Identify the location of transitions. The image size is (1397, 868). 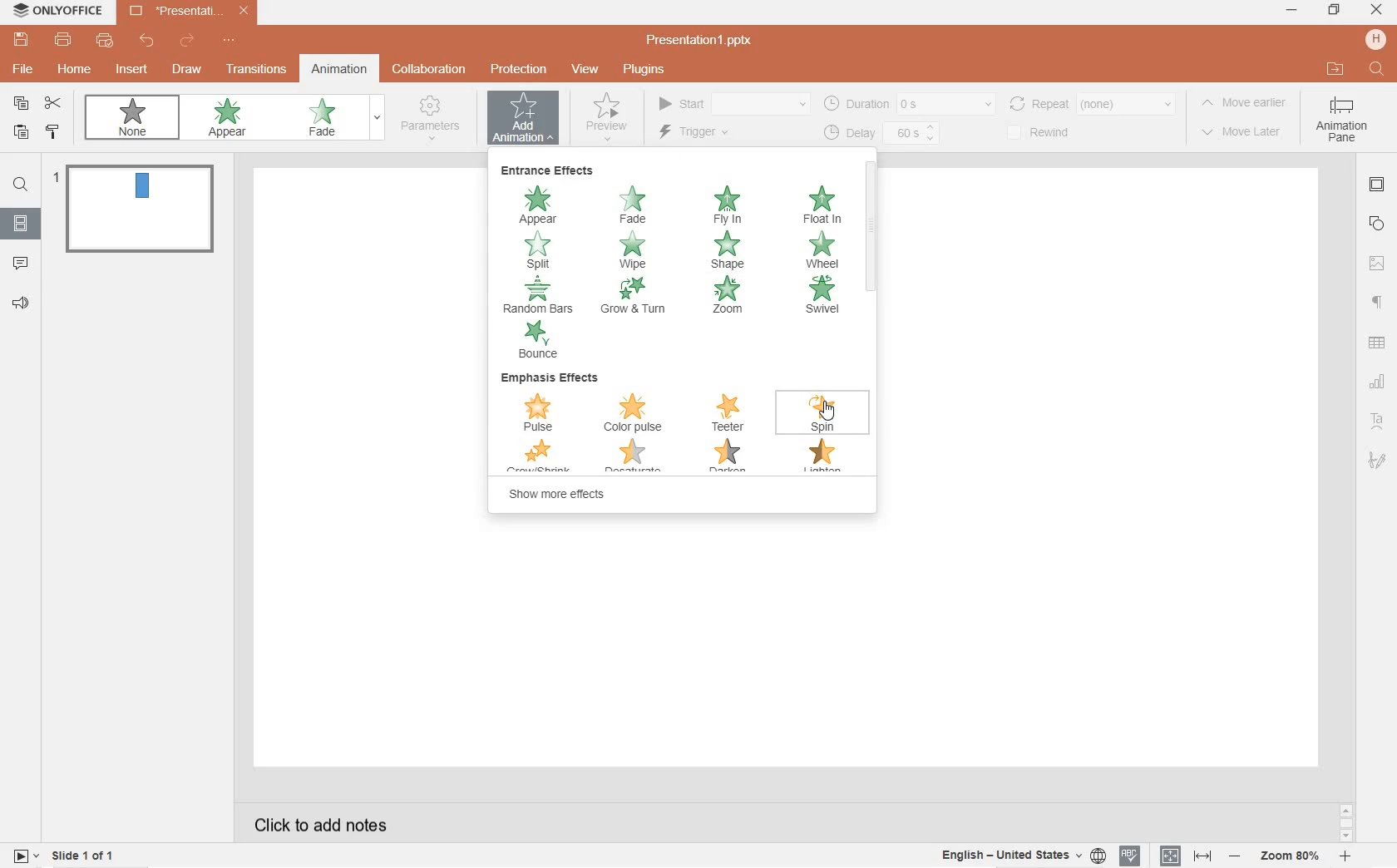
(254, 70).